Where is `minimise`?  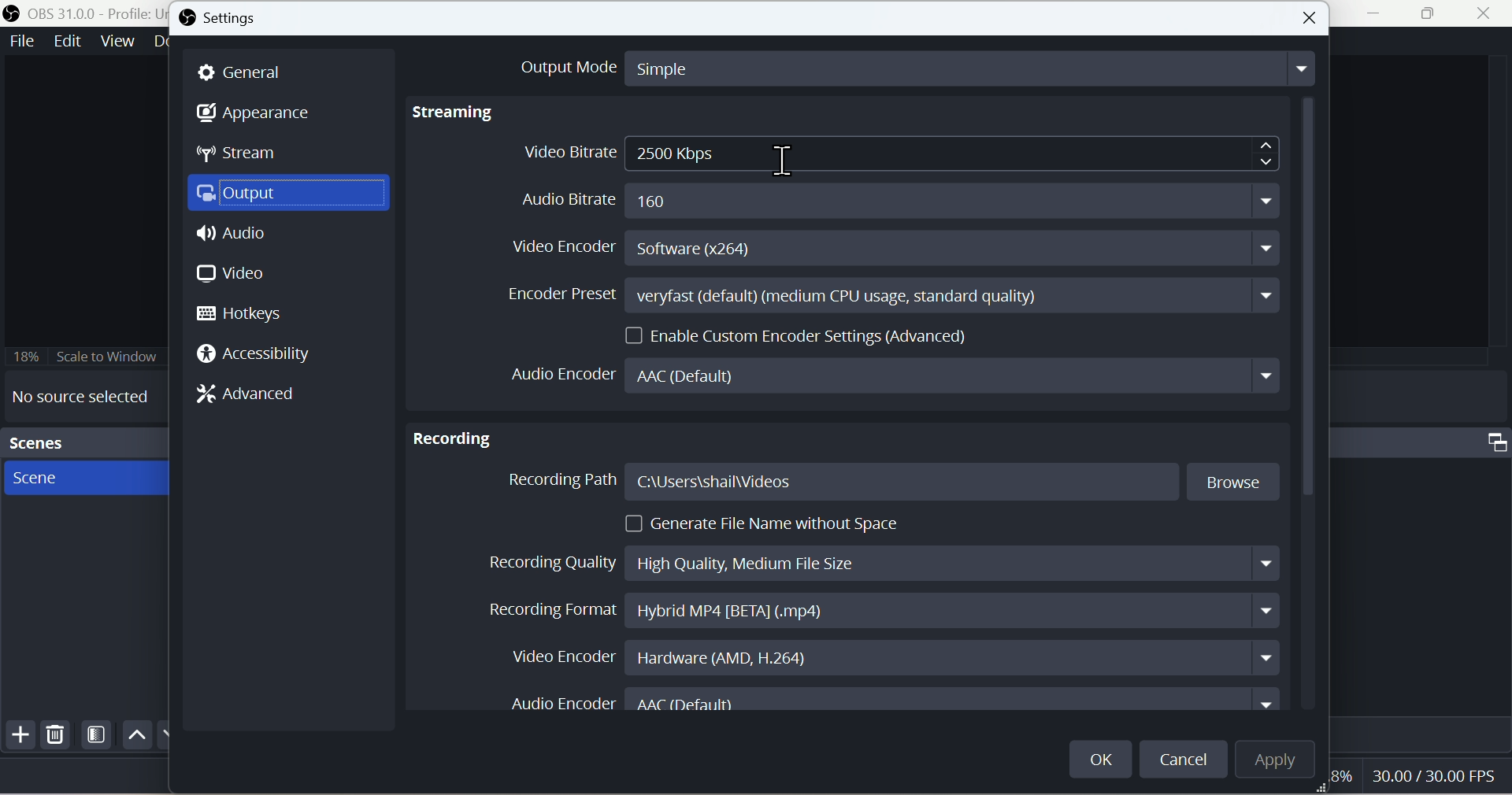
minimise is located at coordinates (1380, 15).